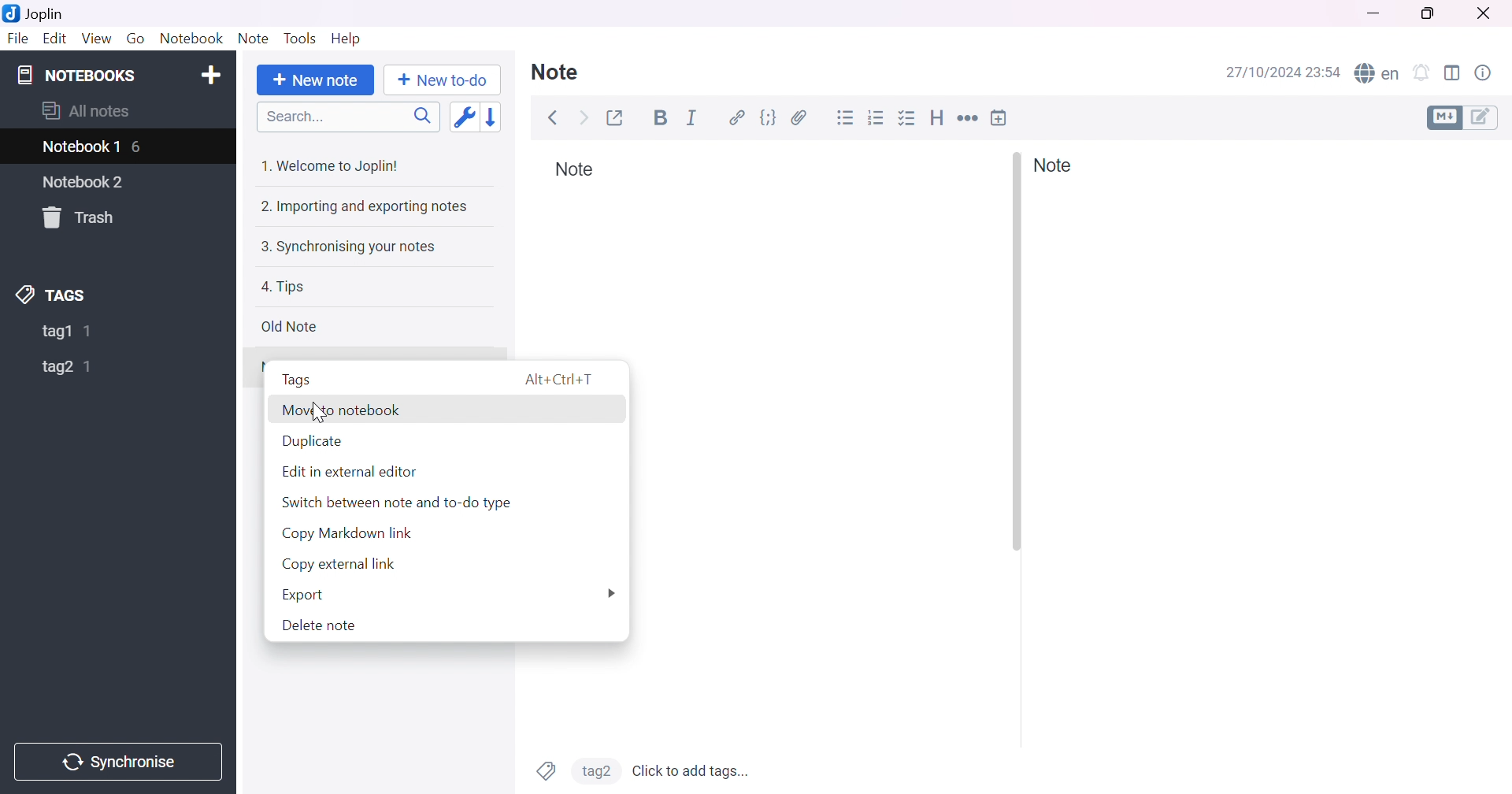  I want to click on Reverse sort order, so click(495, 117).